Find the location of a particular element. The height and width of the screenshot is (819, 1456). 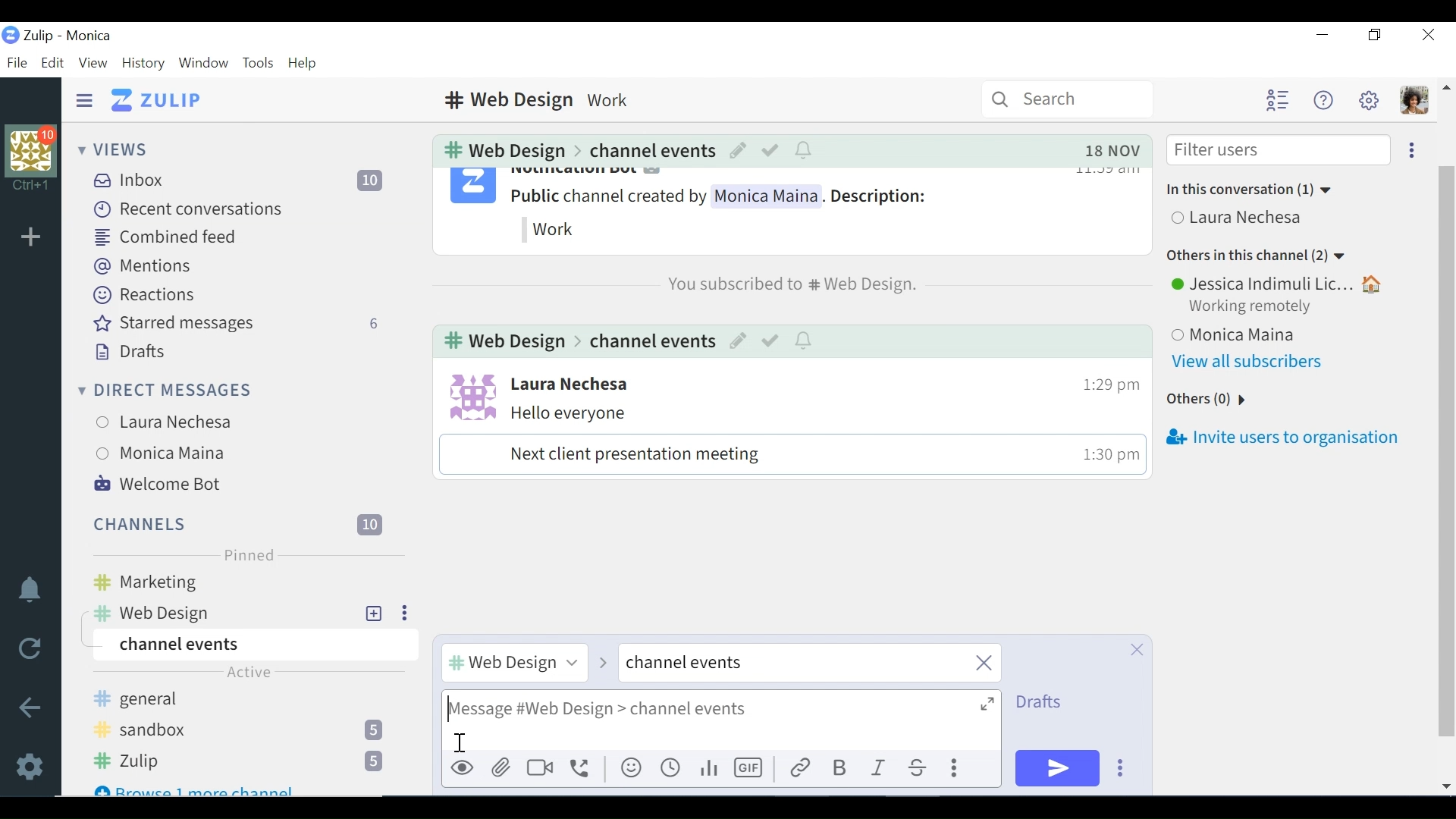

Active label is located at coordinates (249, 676).